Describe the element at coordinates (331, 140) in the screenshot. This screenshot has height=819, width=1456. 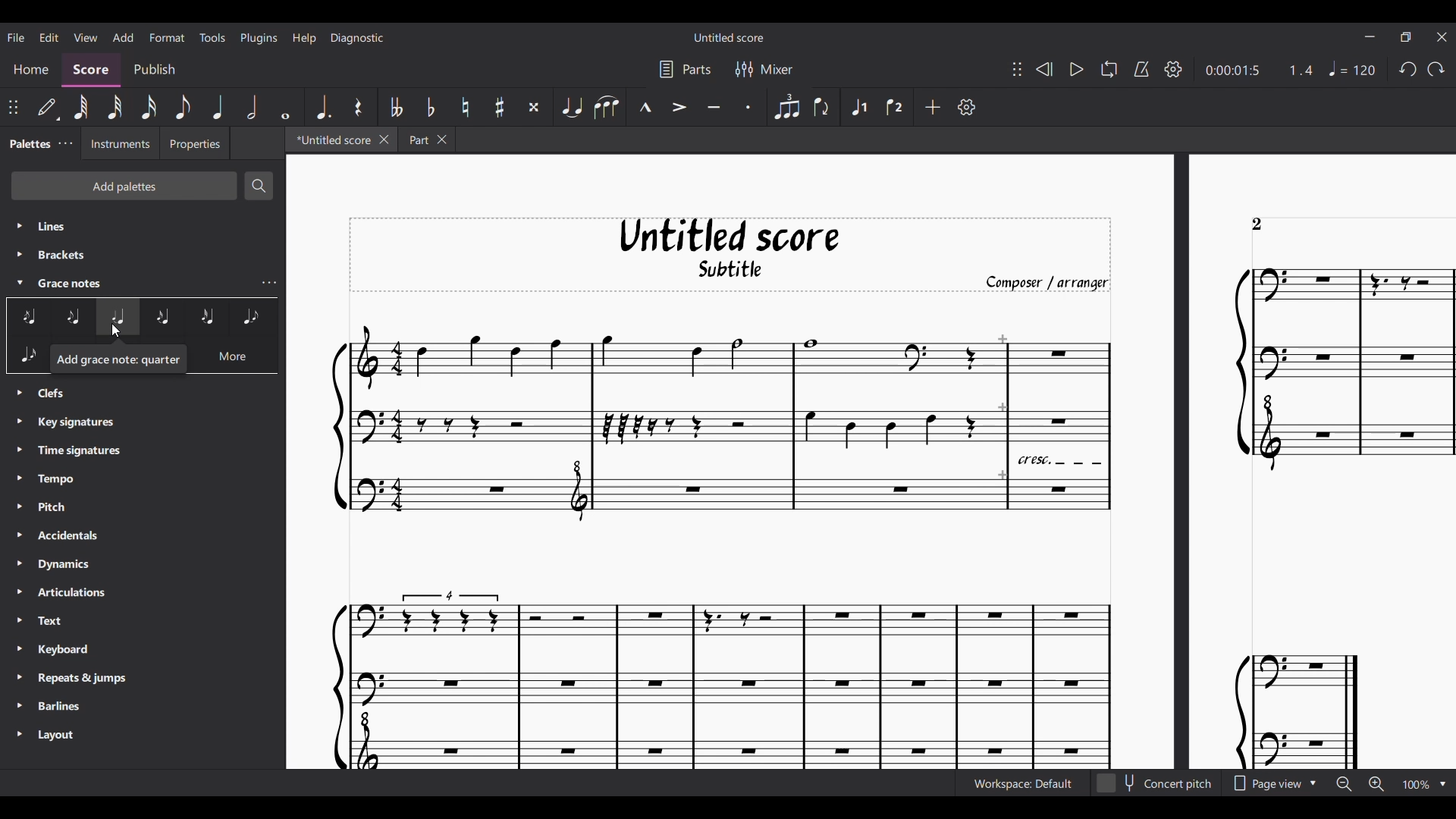
I see `Current tab` at that location.